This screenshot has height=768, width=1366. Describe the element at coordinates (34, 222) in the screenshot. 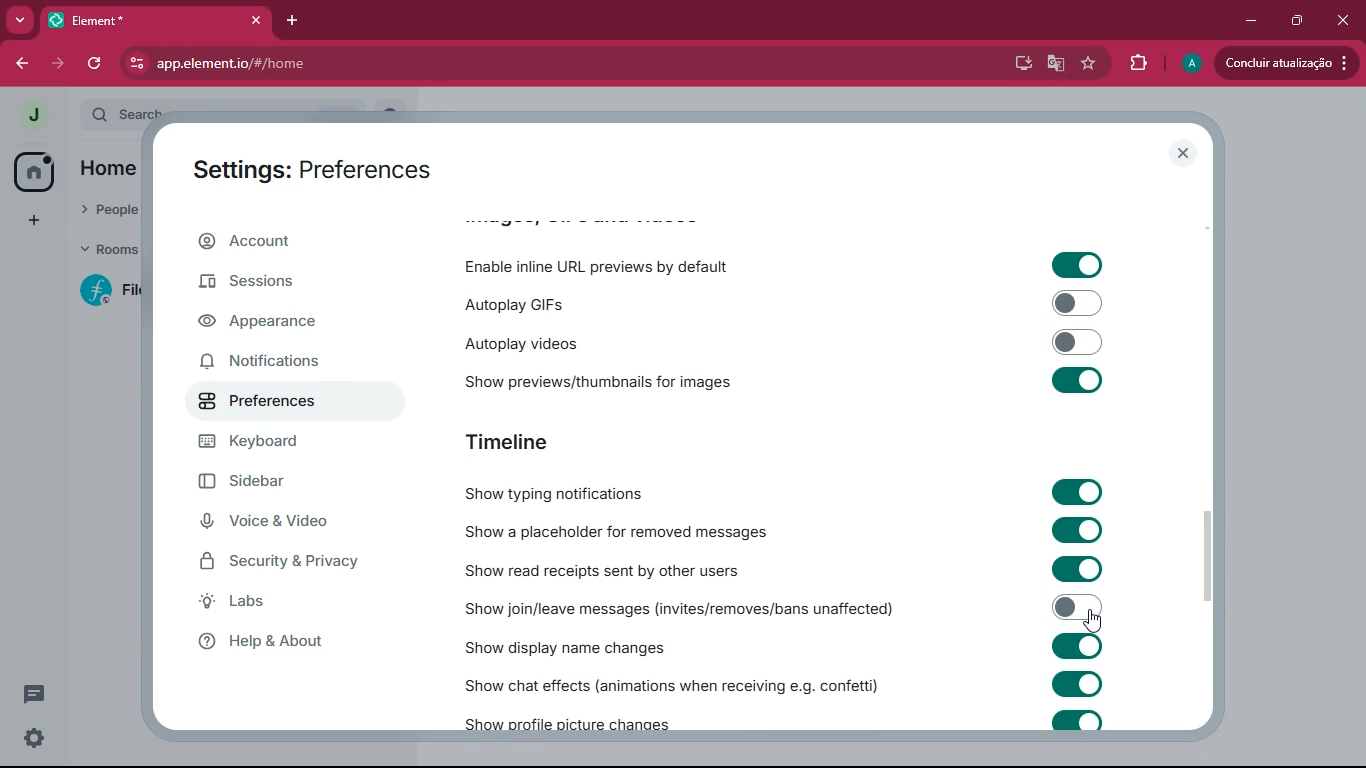

I see `add` at that location.